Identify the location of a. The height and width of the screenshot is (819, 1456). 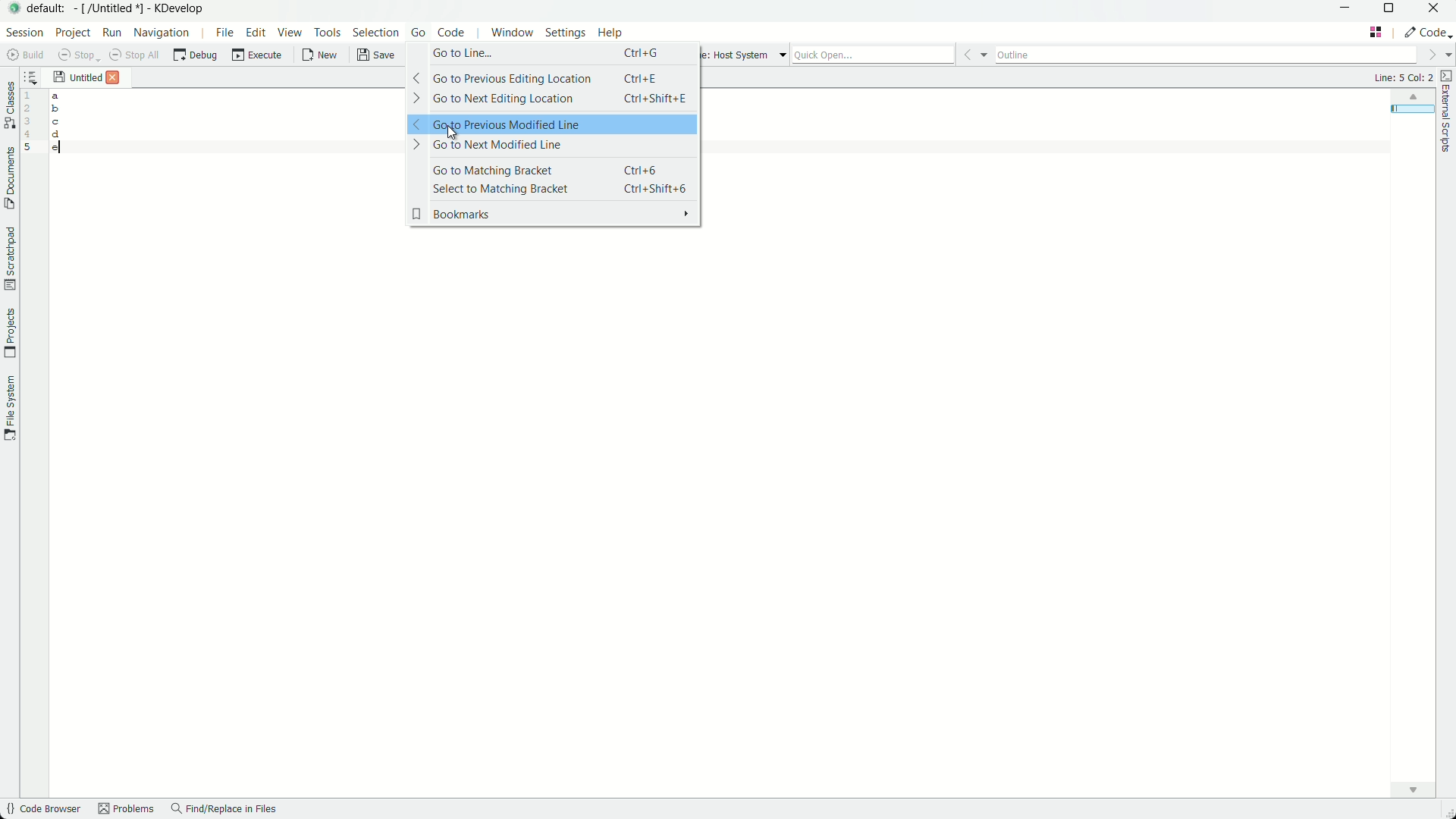
(56, 96).